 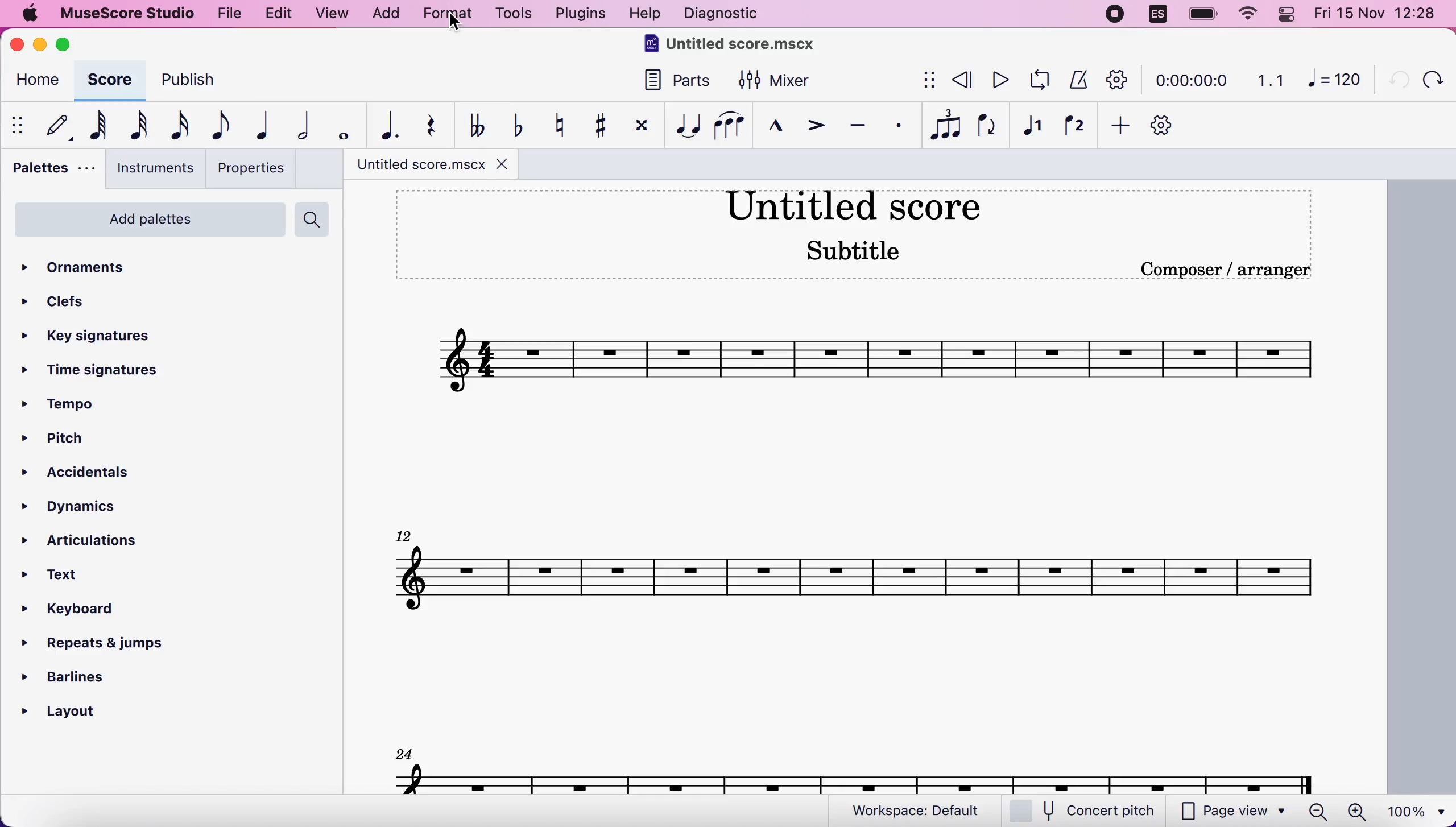 What do you see at coordinates (1289, 14) in the screenshot?
I see `panel control` at bounding box center [1289, 14].